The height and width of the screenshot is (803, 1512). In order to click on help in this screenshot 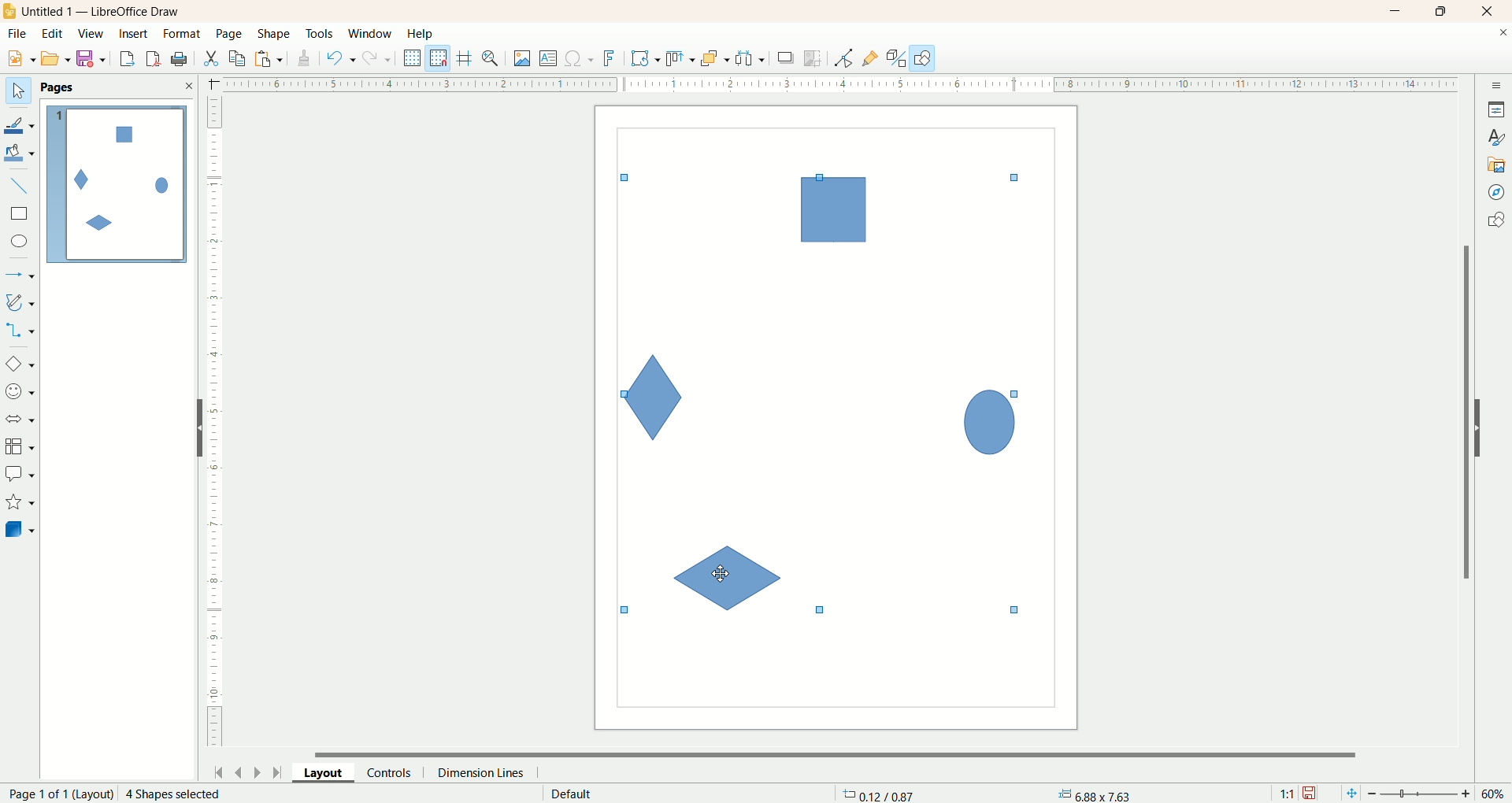, I will do `click(421, 34)`.